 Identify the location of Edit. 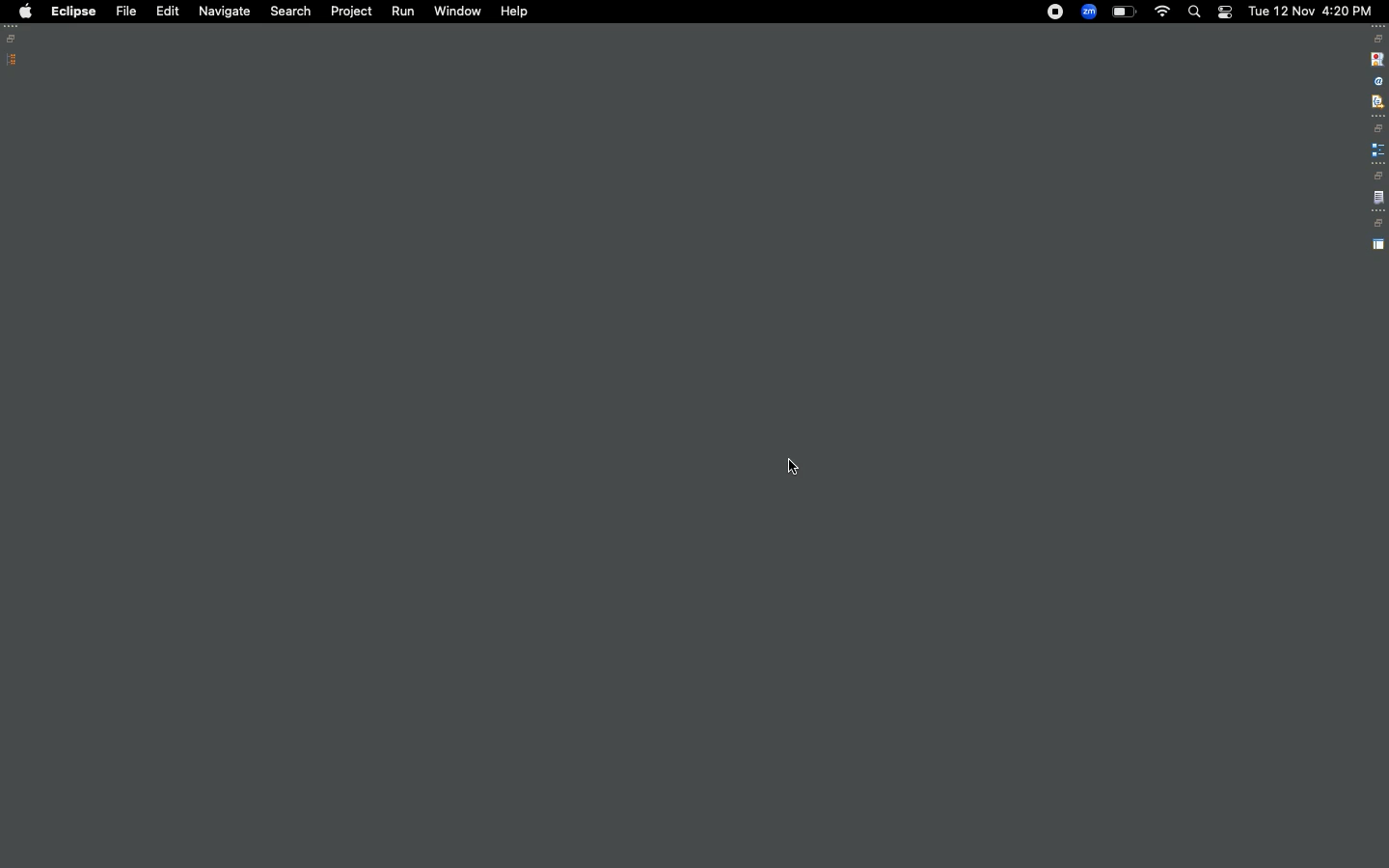
(164, 10).